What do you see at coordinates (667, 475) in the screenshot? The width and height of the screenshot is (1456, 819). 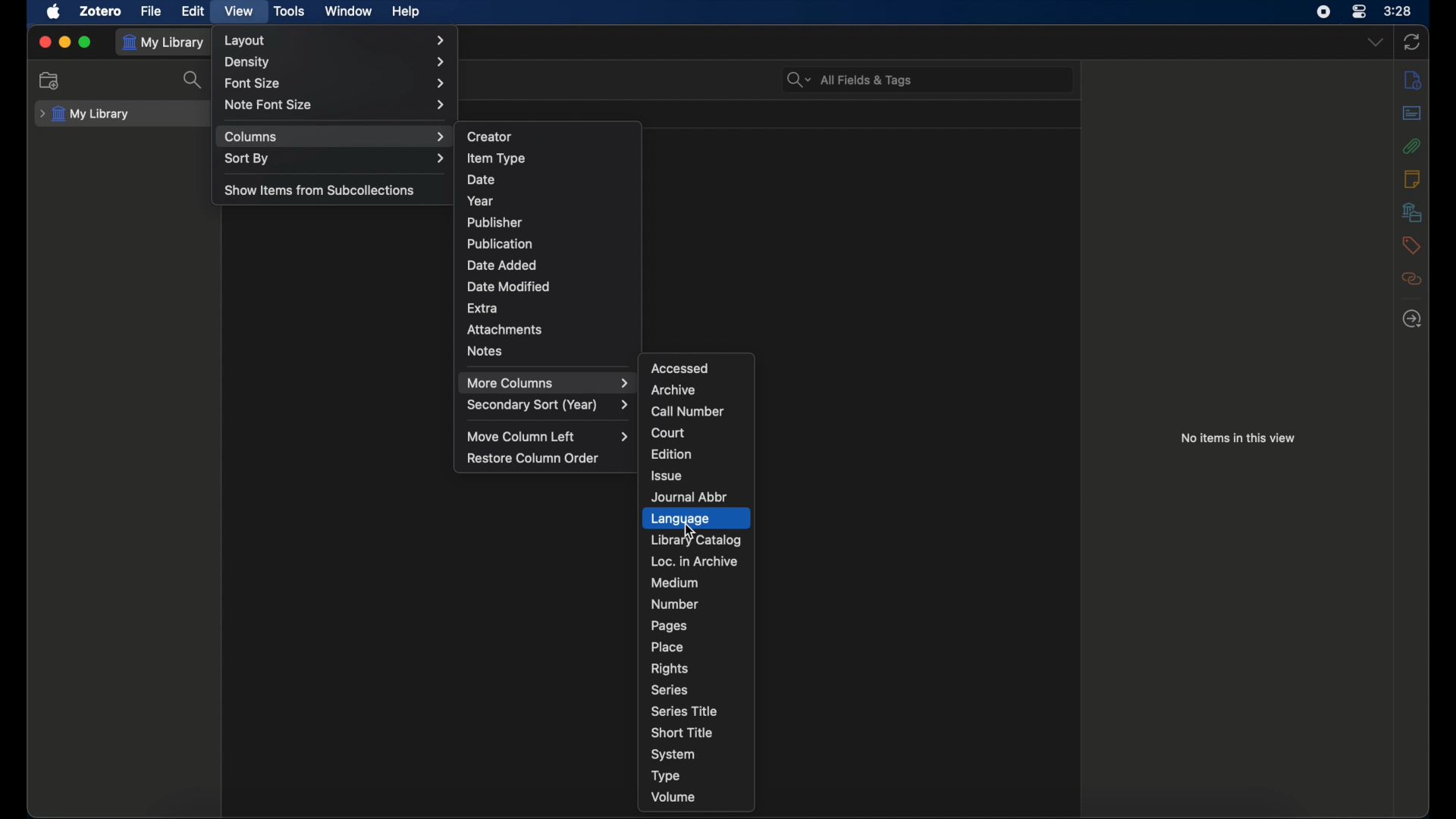 I see `issue` at bounding box center [667, 475].